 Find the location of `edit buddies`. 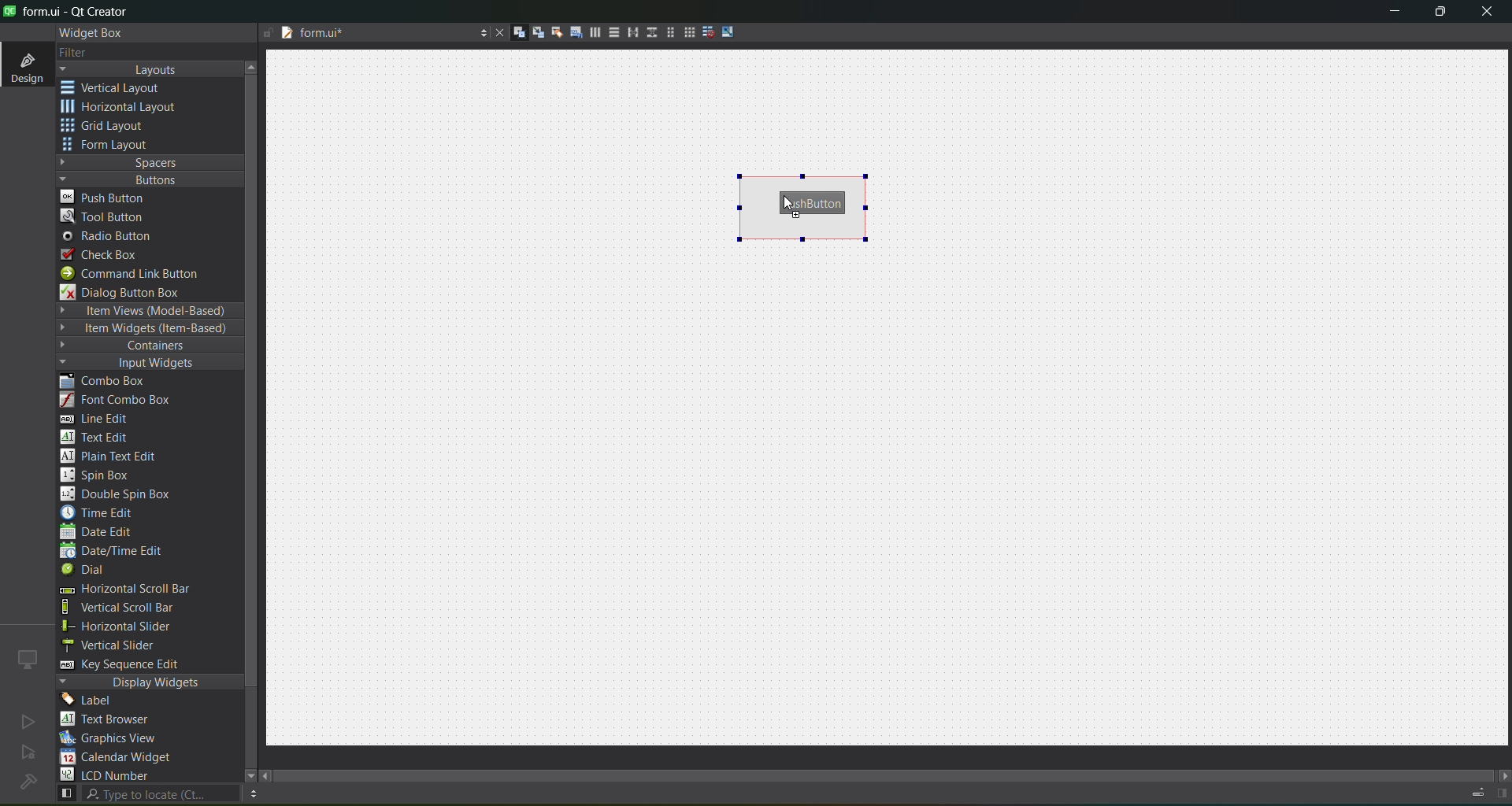

edit buddies is located at coordinates (551, 32).